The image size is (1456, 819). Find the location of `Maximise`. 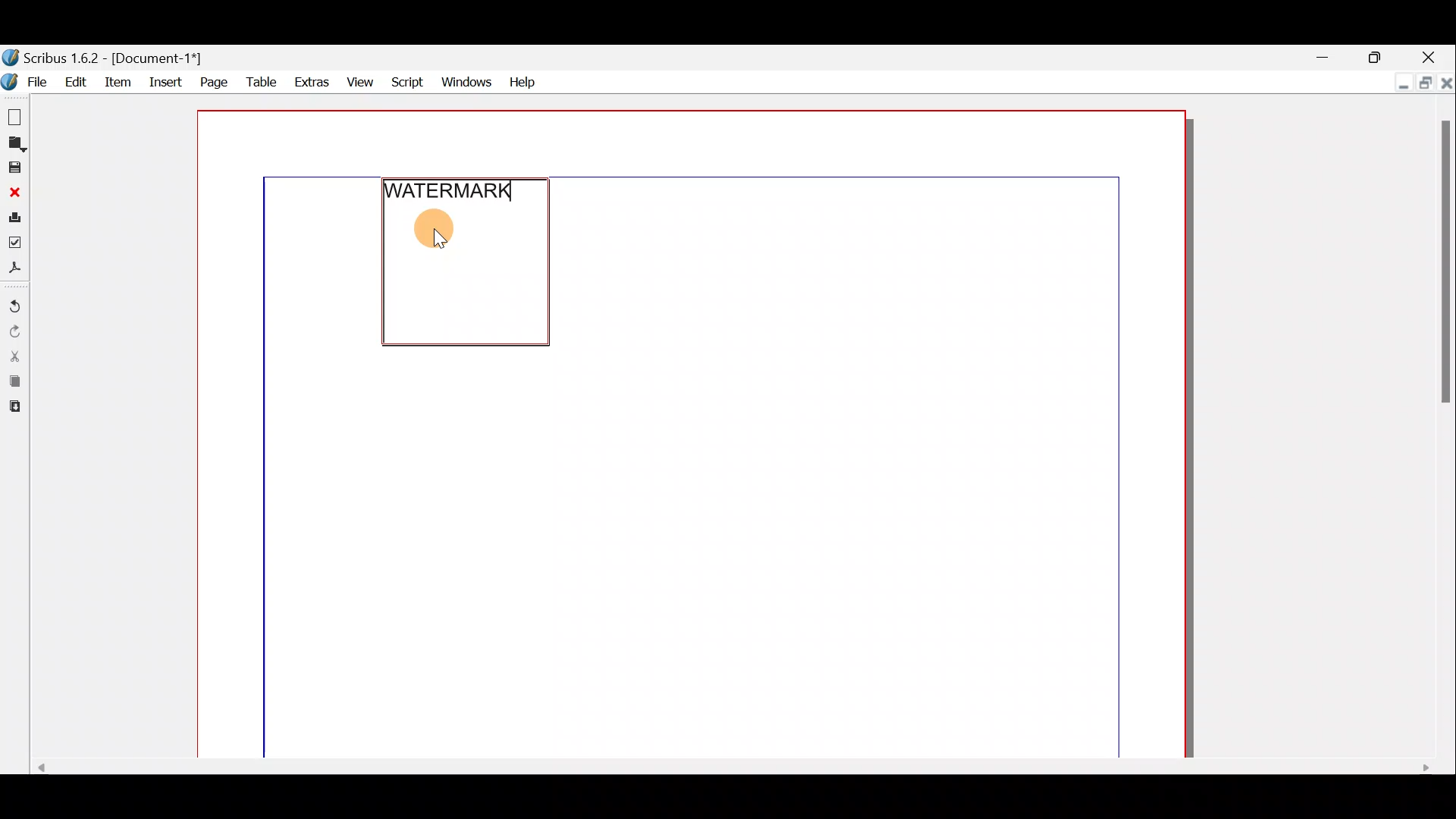

Maximise is located at coordinates (1376, 55).